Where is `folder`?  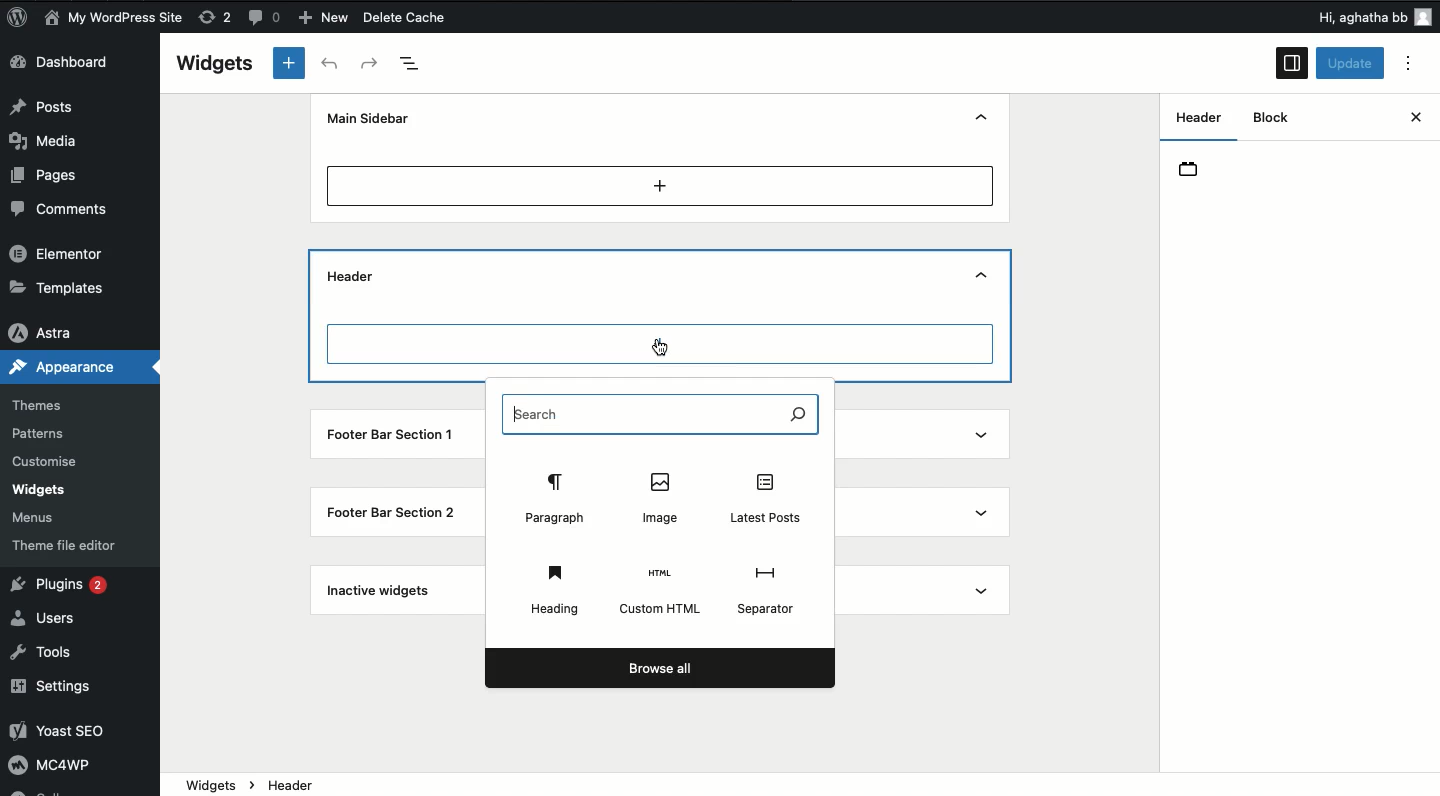 folder is located at coordinates (1197, 174).